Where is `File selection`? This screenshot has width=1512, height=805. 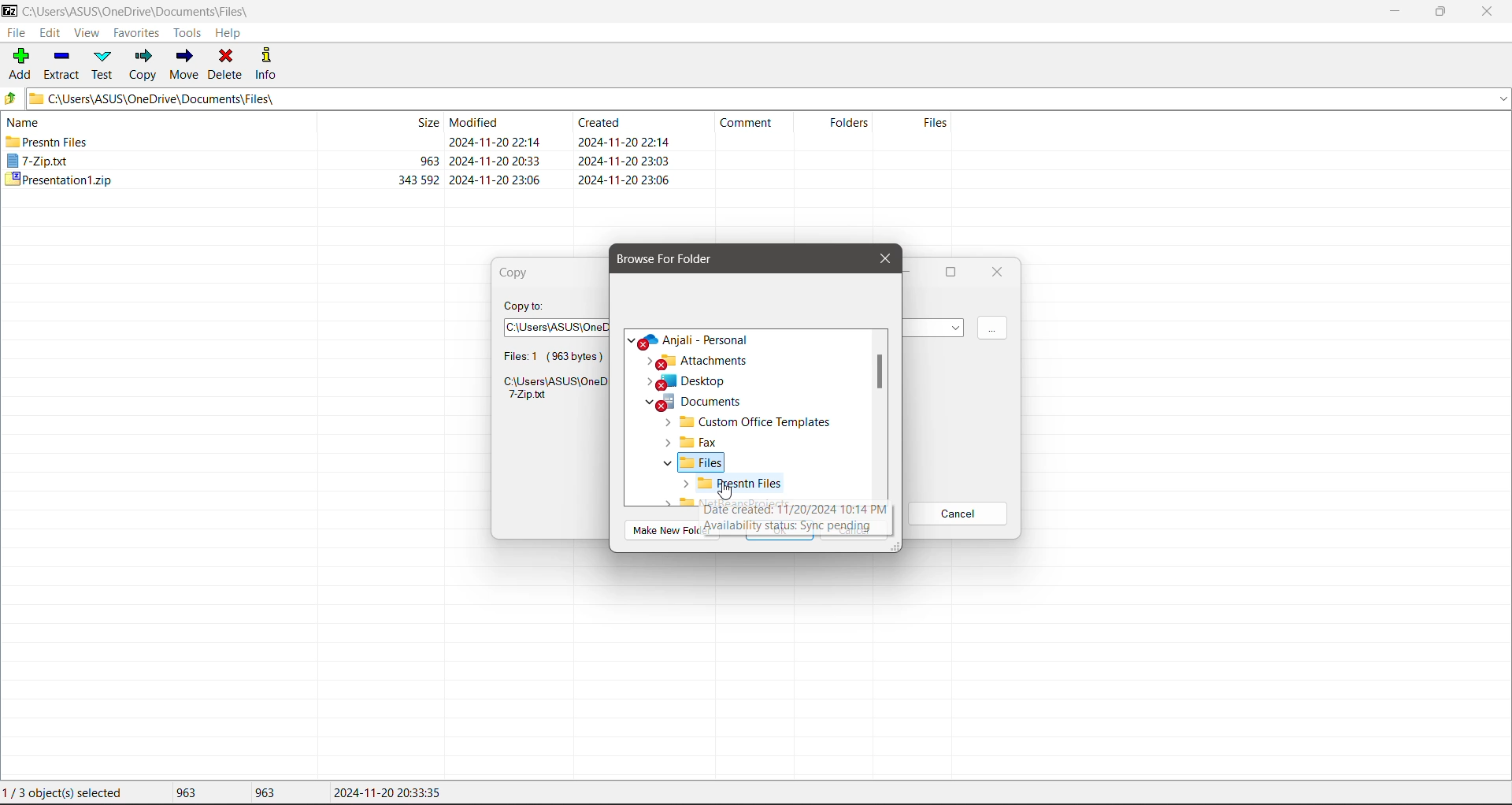
File selection is located at coordinates (549, 354).